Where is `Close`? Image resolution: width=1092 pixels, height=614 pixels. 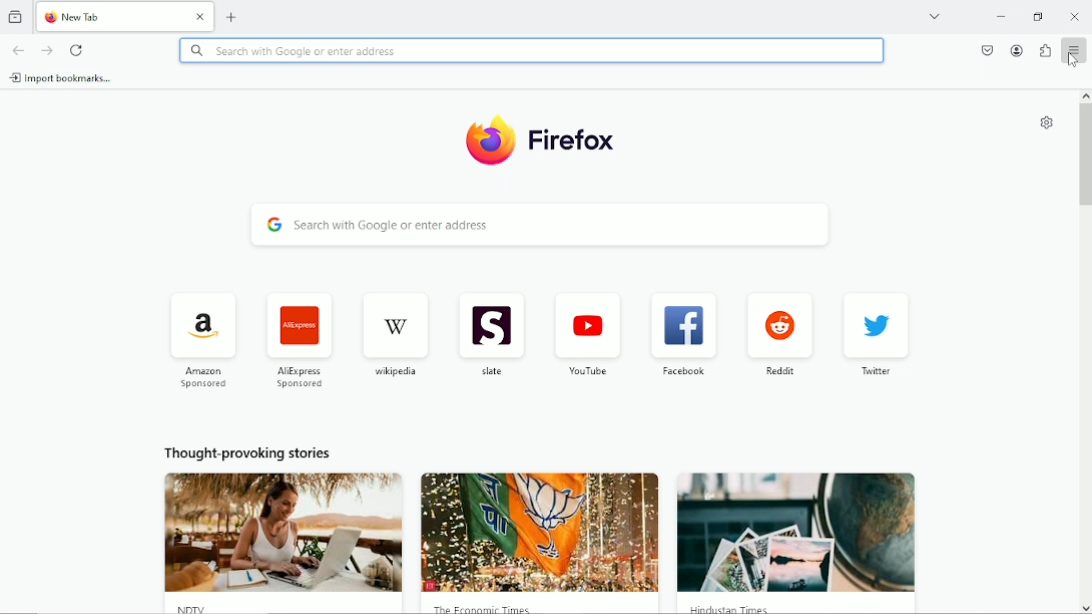
Close is located at coordinates (201, 16).